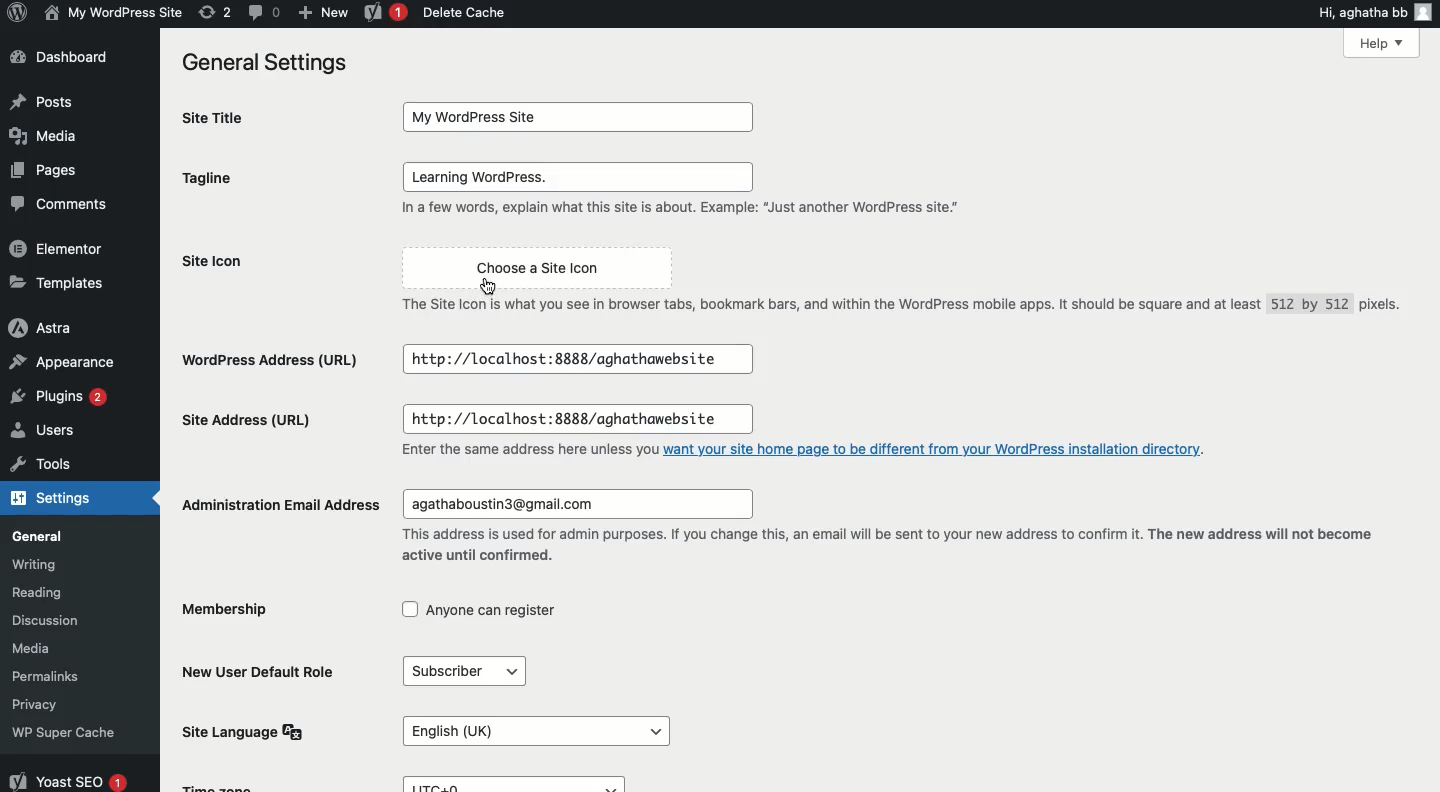 The width and height of the screenshot is (1440, 792). I want to click on Tools, so click(58, 463).